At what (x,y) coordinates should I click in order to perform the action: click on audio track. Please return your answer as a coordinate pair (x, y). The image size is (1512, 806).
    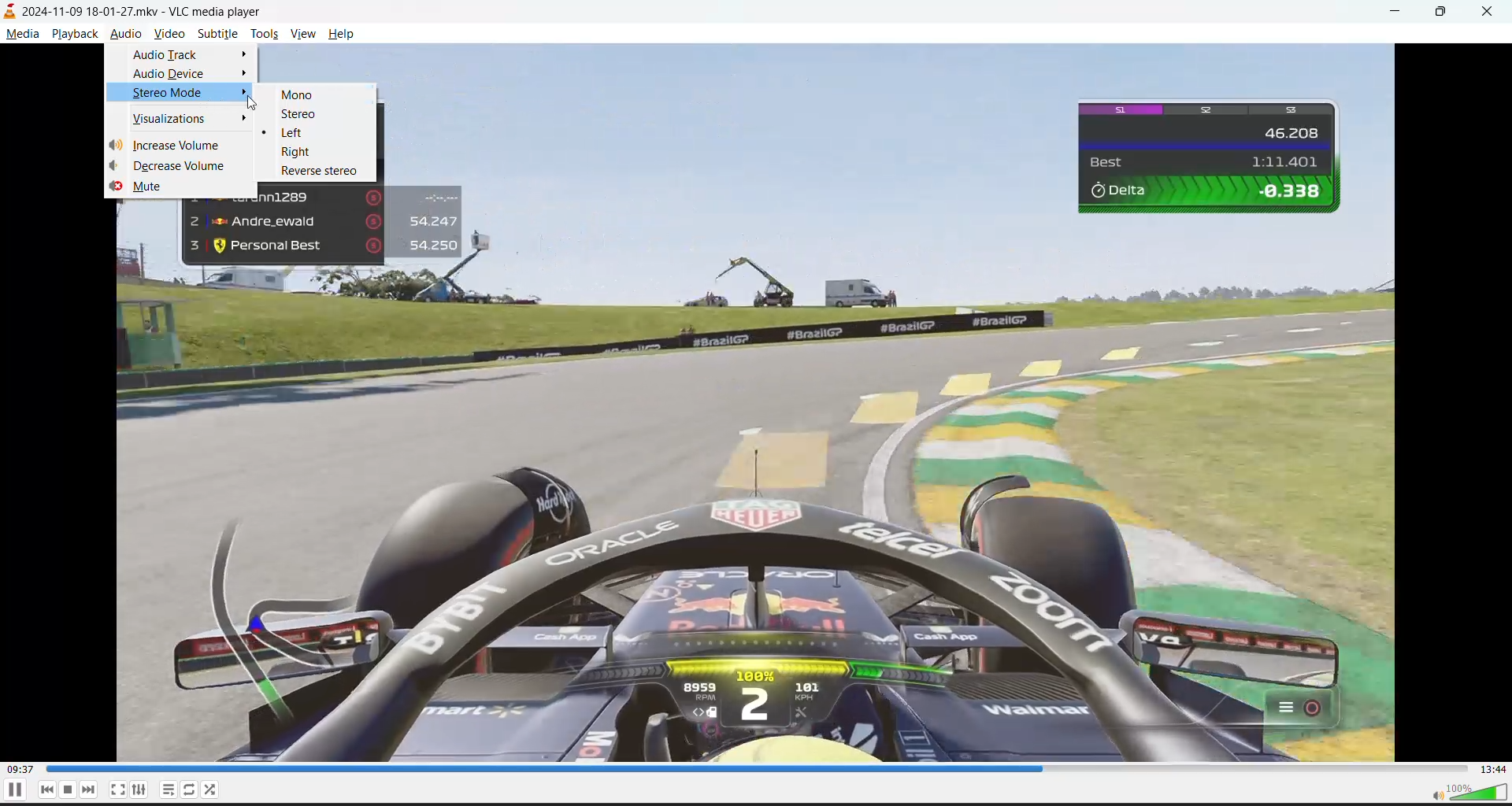
    Looking at the image, I should click on (172, 54).